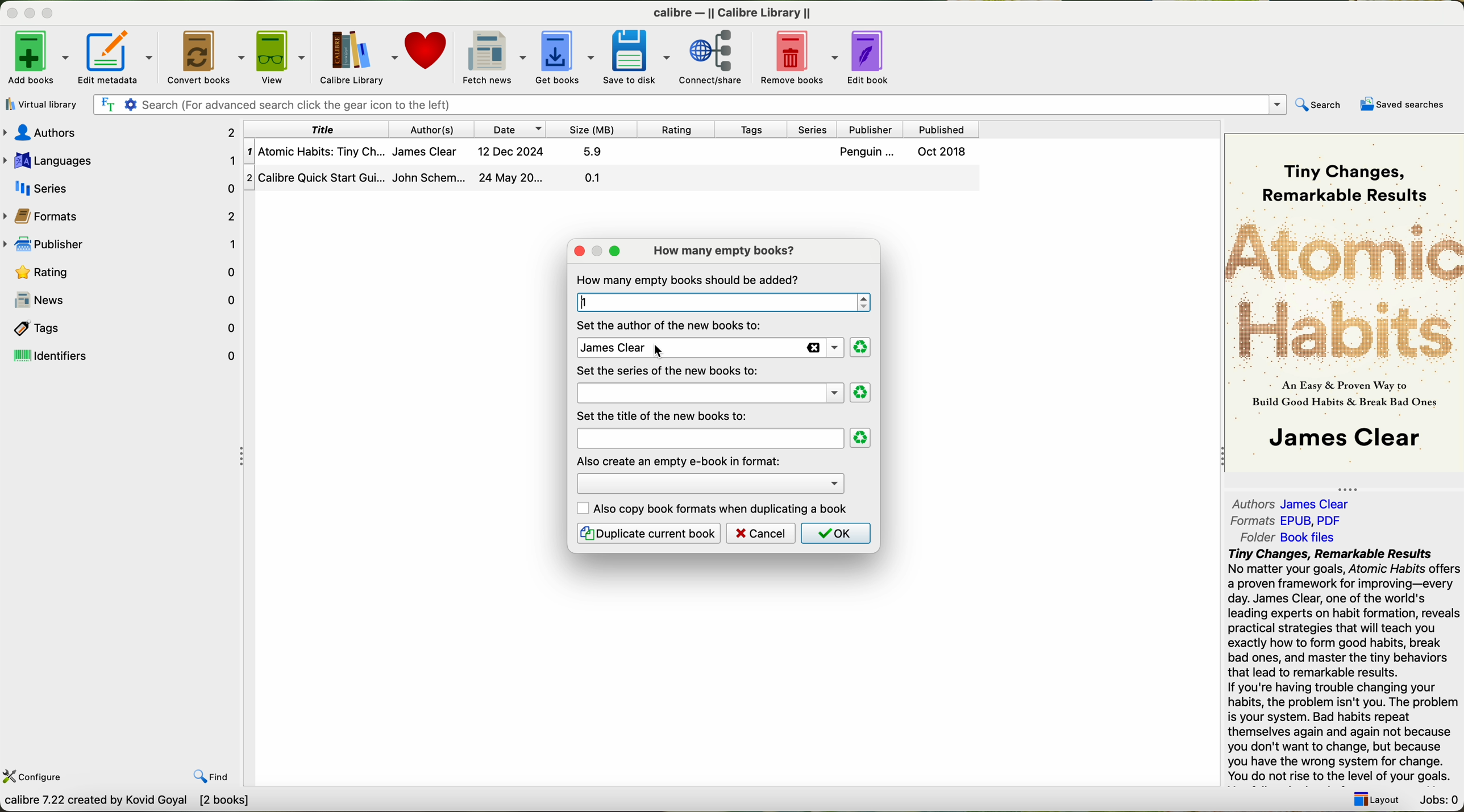 The height and width of the screenshot is (812, 1464). I want to click on date, so click(510, 129).